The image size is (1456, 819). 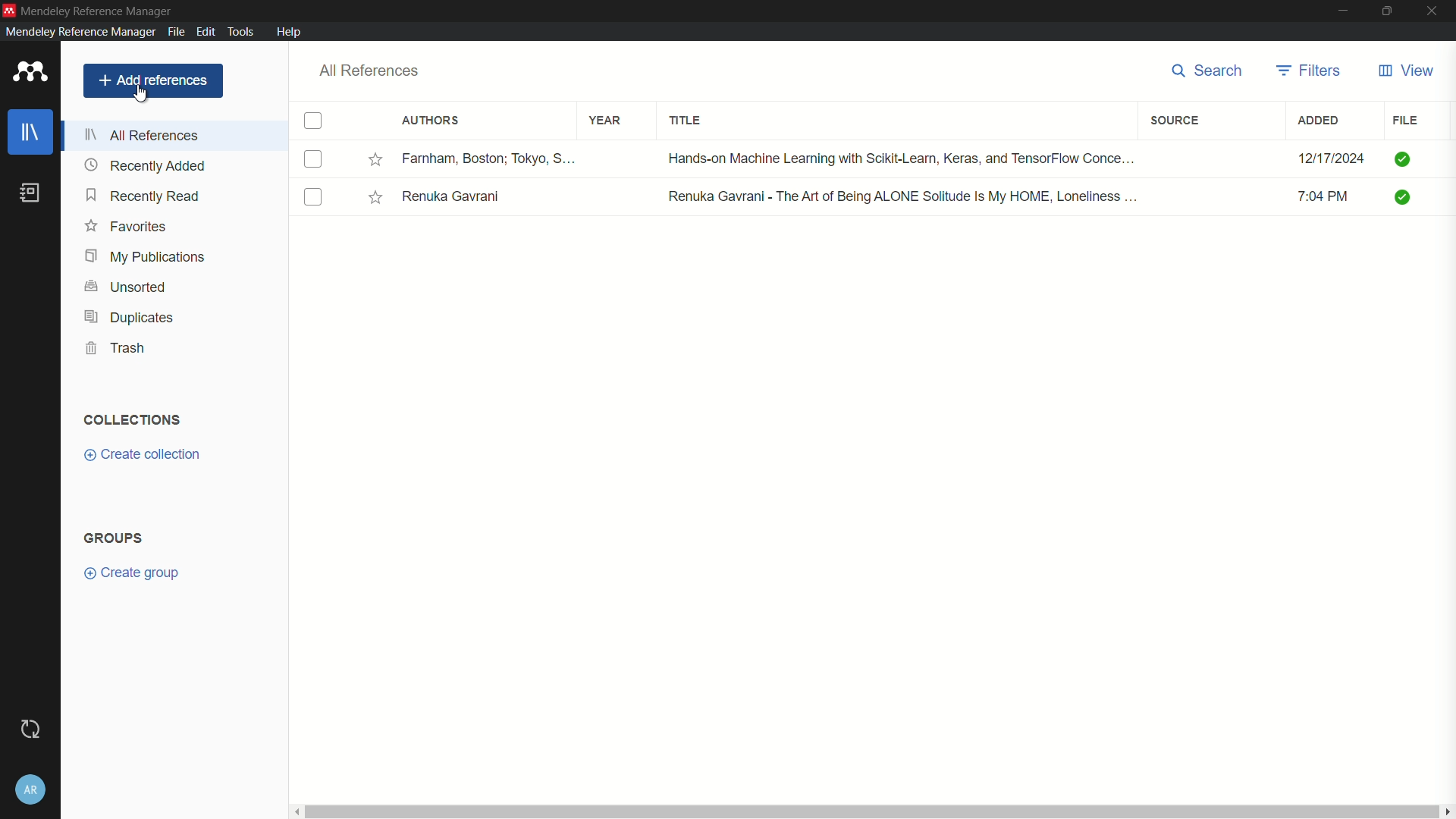 I want to click on scroll right, so click(x=1447, y=811).